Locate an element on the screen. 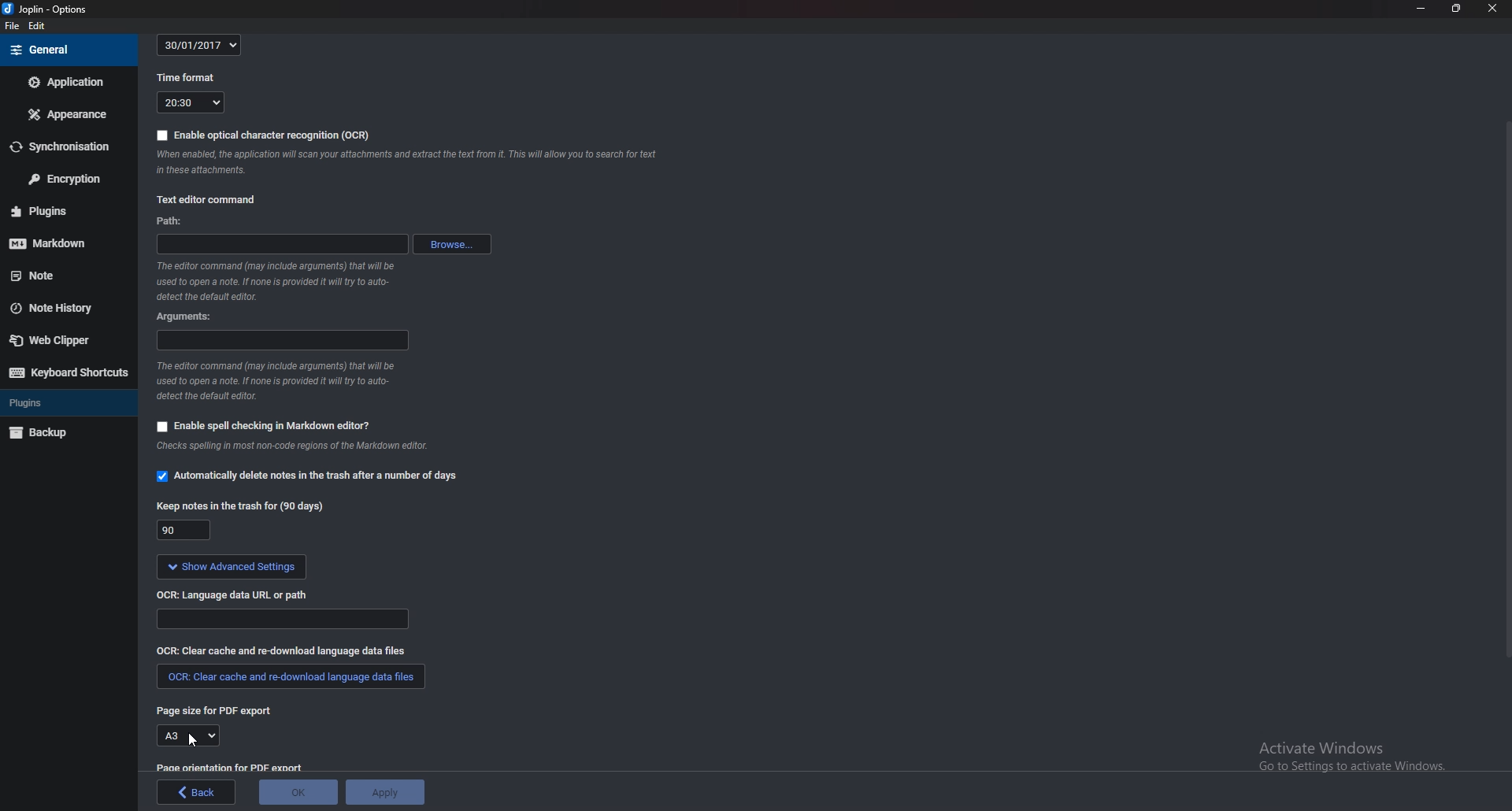 This screenshot has height=811, width=1512. path is located at coordinates (282, 243).